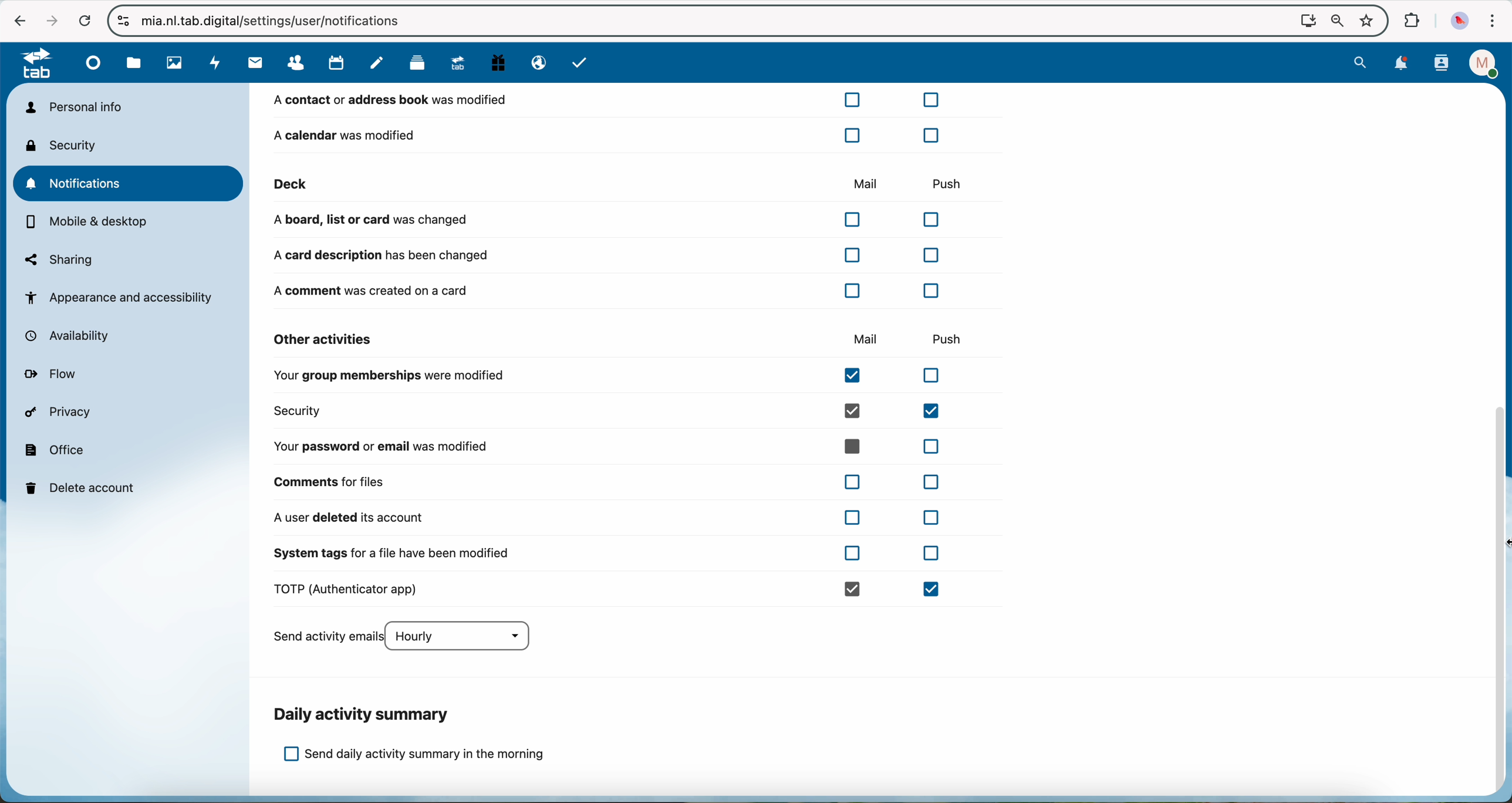  I want to click on daily activity summary, so click(364, 714).